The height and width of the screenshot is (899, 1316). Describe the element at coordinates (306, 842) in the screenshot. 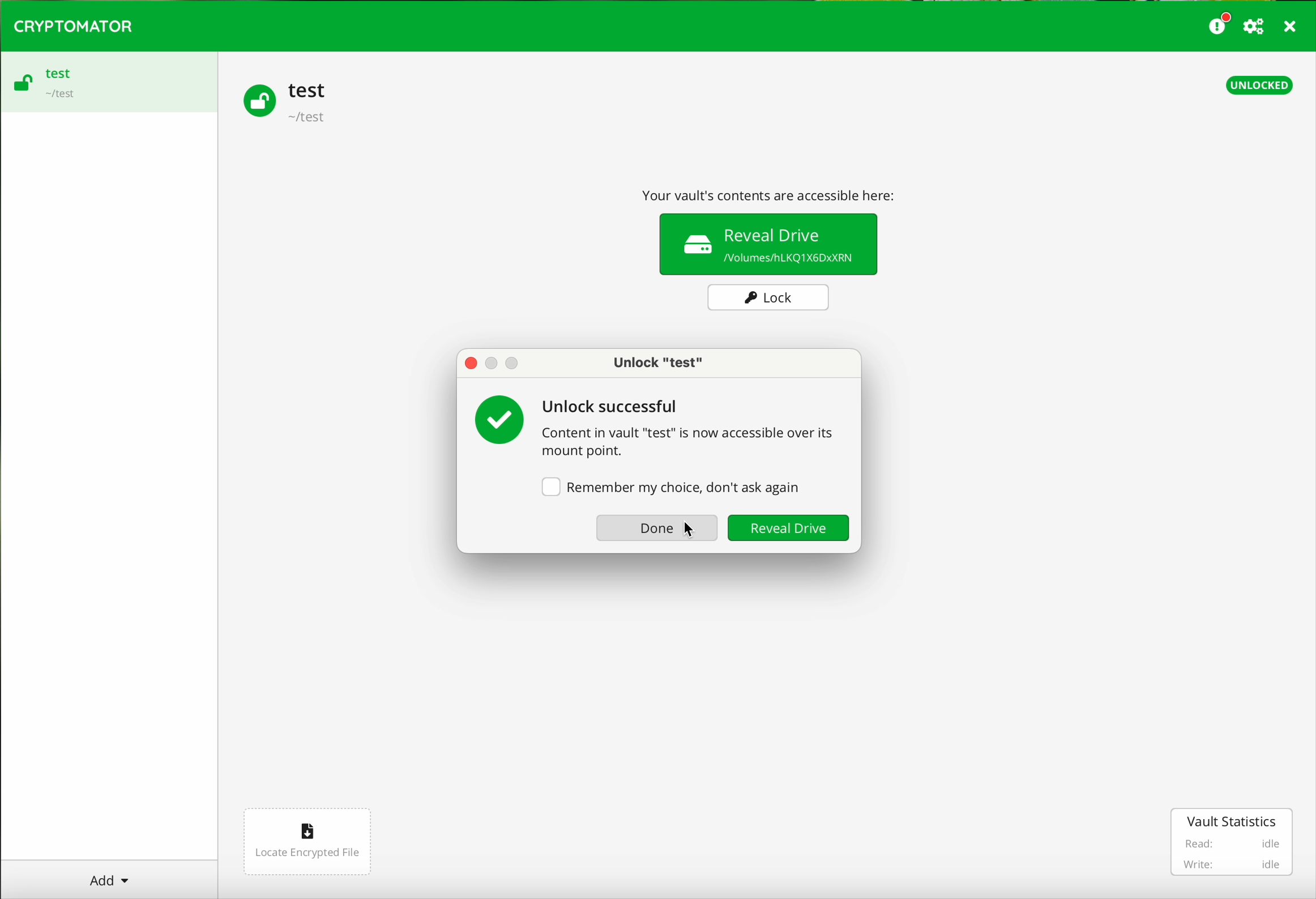

I see `locate encrypted file button` at that location.